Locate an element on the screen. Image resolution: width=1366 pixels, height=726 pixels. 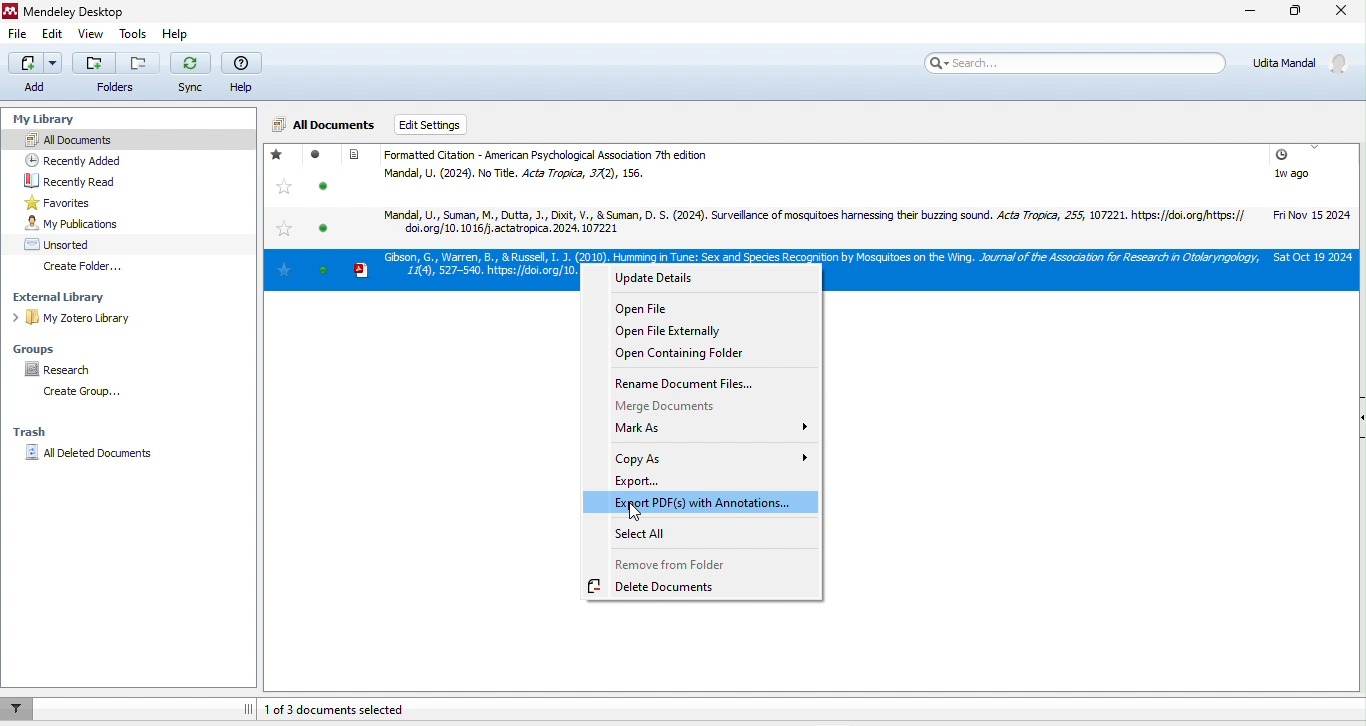
create group is located at coordinates (87, 394).